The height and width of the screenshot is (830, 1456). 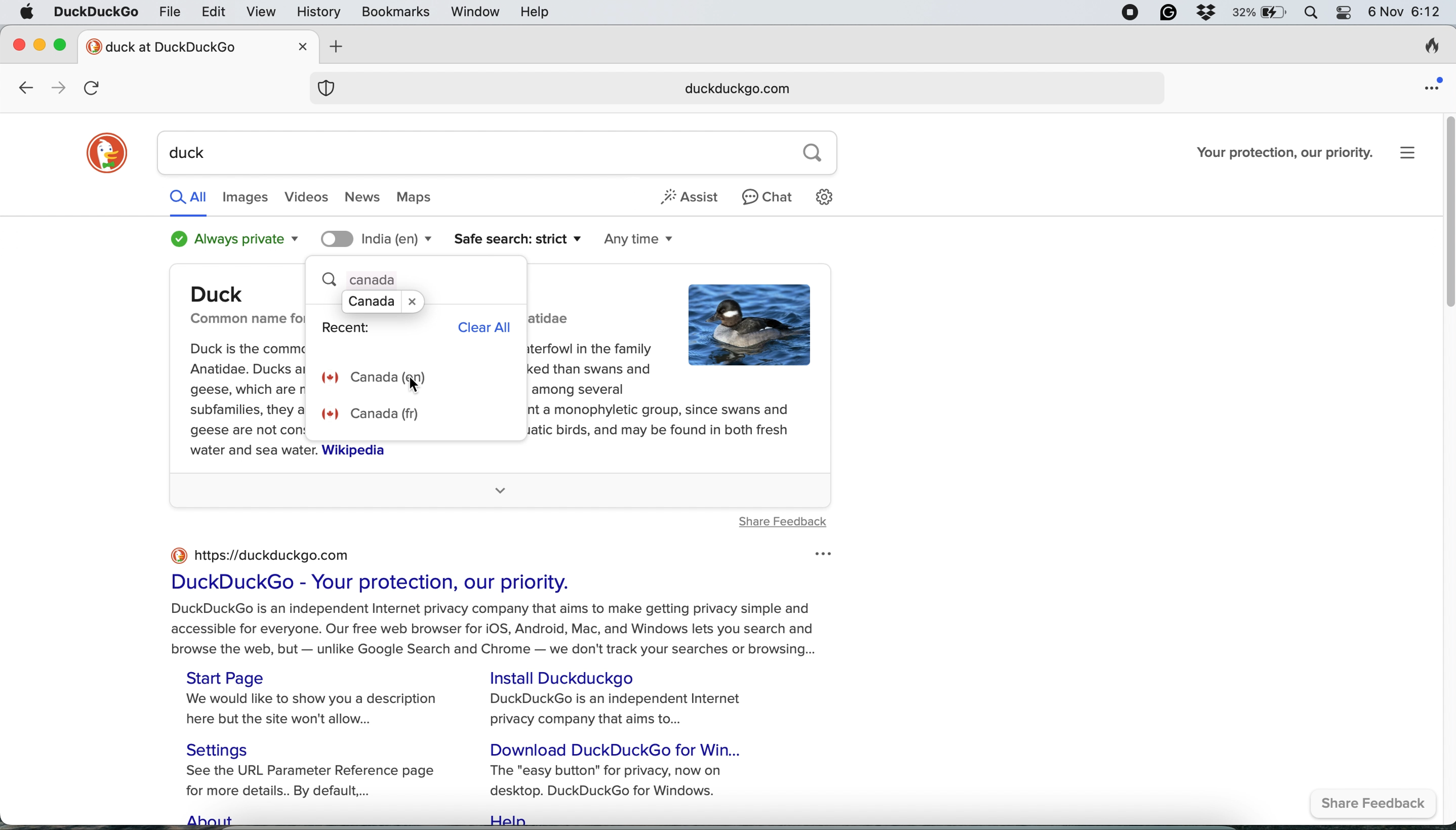 What do you see at coordinates (1378, 805) in the screenshot?
I see `share feedback` at bounding box center [1378, 805].